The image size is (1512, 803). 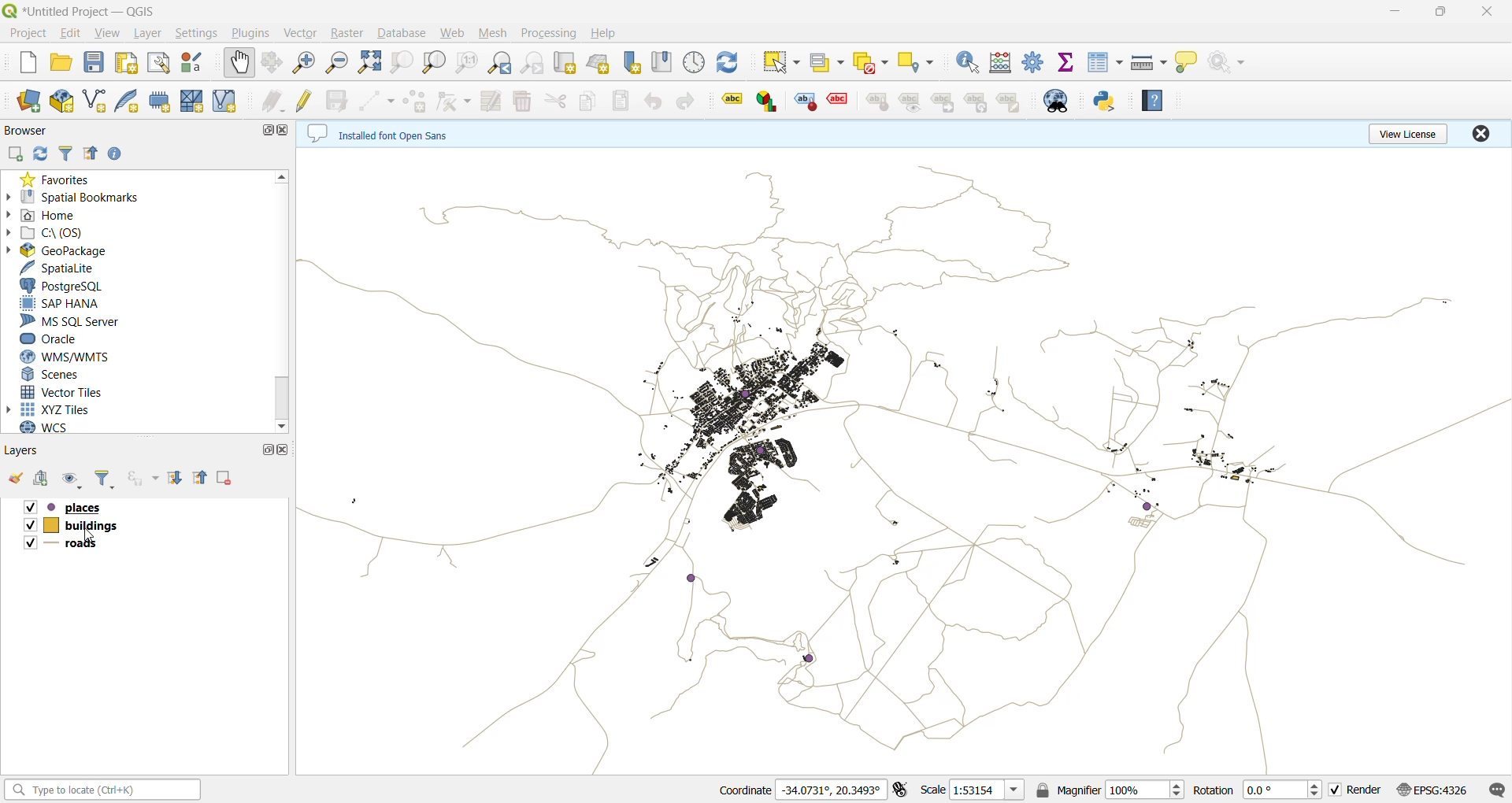 I want to click on new 3d map, so click(x=599, y=63).